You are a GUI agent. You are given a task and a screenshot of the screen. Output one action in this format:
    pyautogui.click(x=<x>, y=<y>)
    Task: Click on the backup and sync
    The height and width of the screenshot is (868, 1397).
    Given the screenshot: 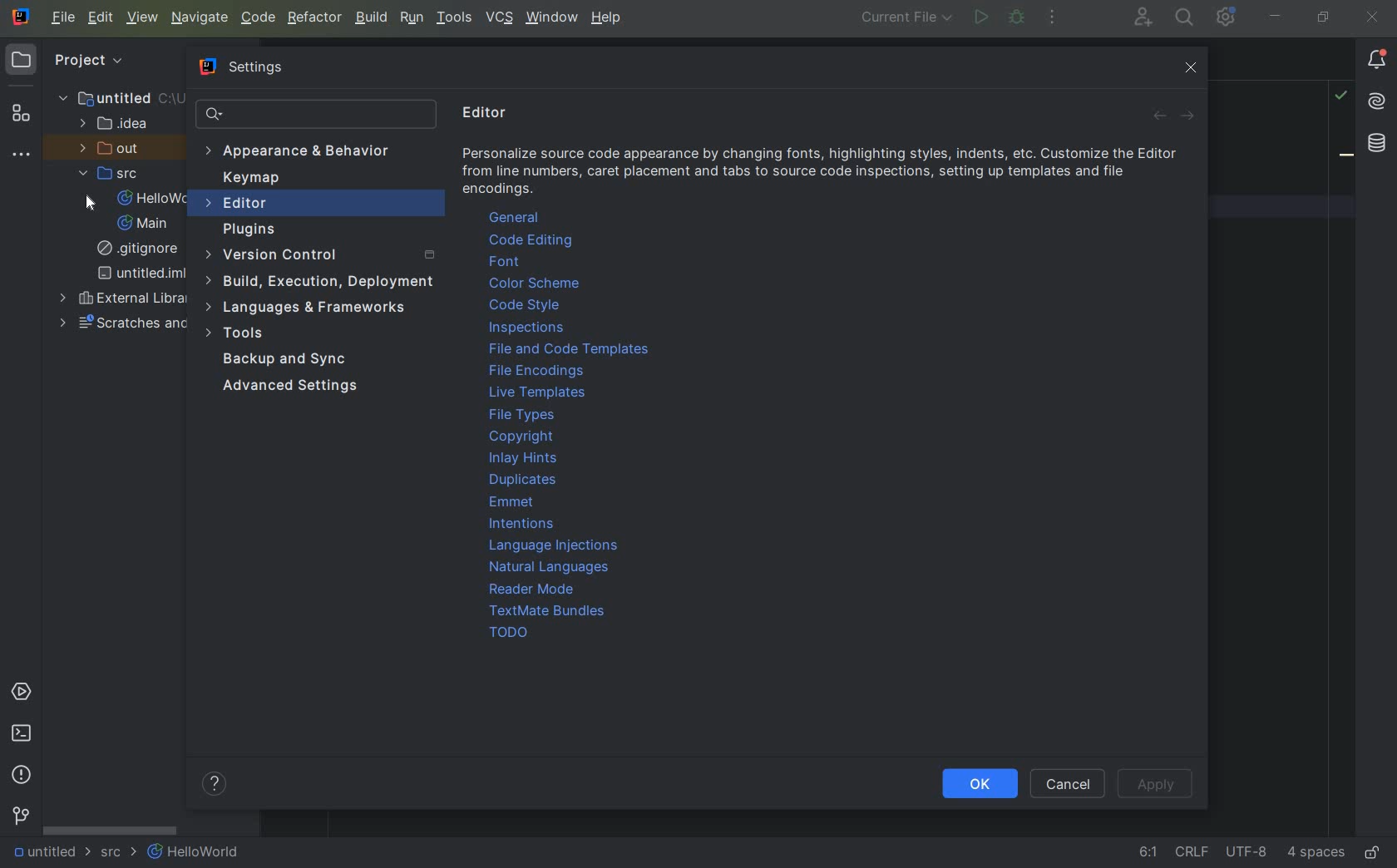 What is the action you would take?
    pyautogui.click(x=289, y=359)
    